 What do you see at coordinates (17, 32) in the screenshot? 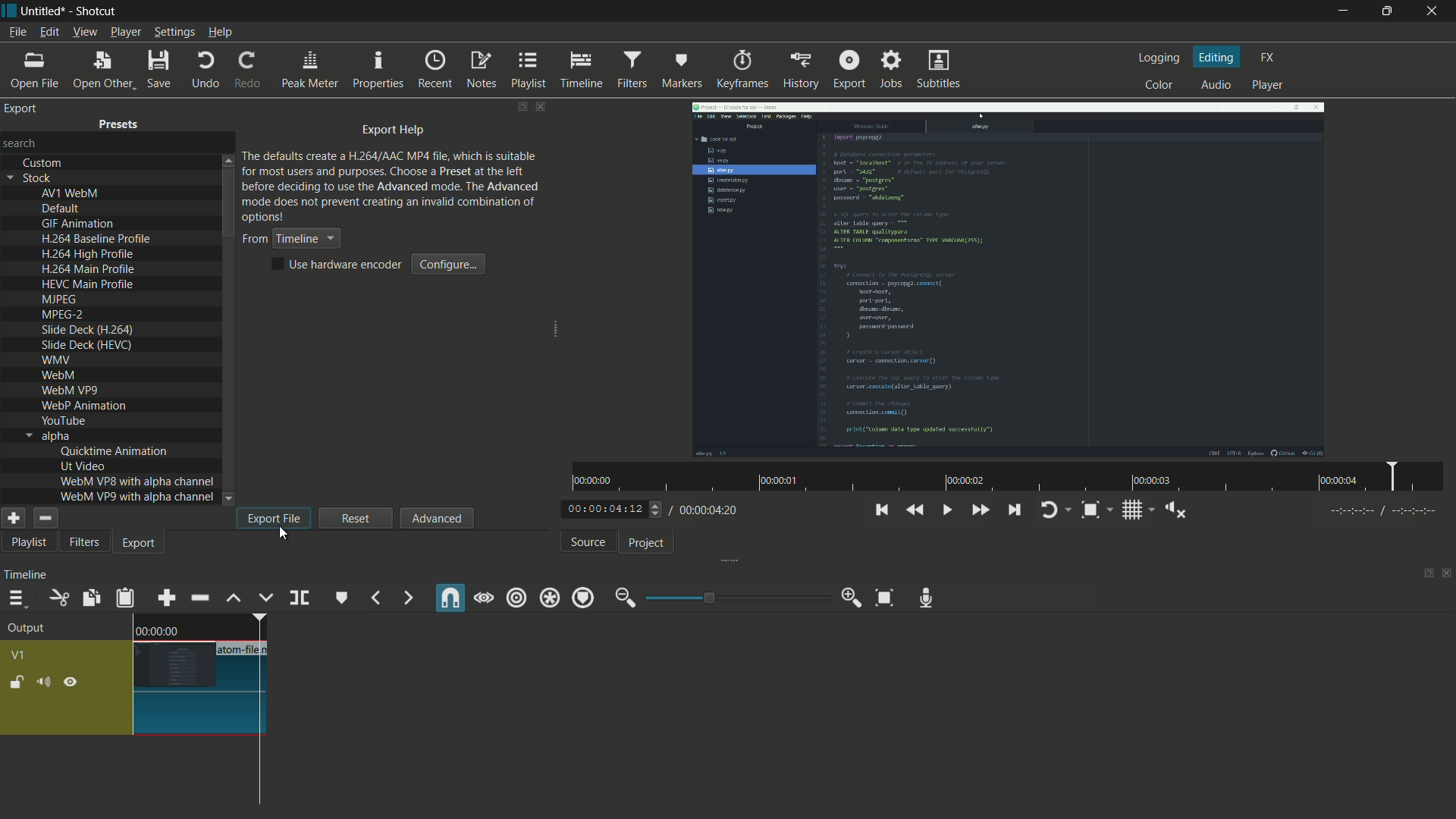
I see `file menu` at bounding box center [17, 32].